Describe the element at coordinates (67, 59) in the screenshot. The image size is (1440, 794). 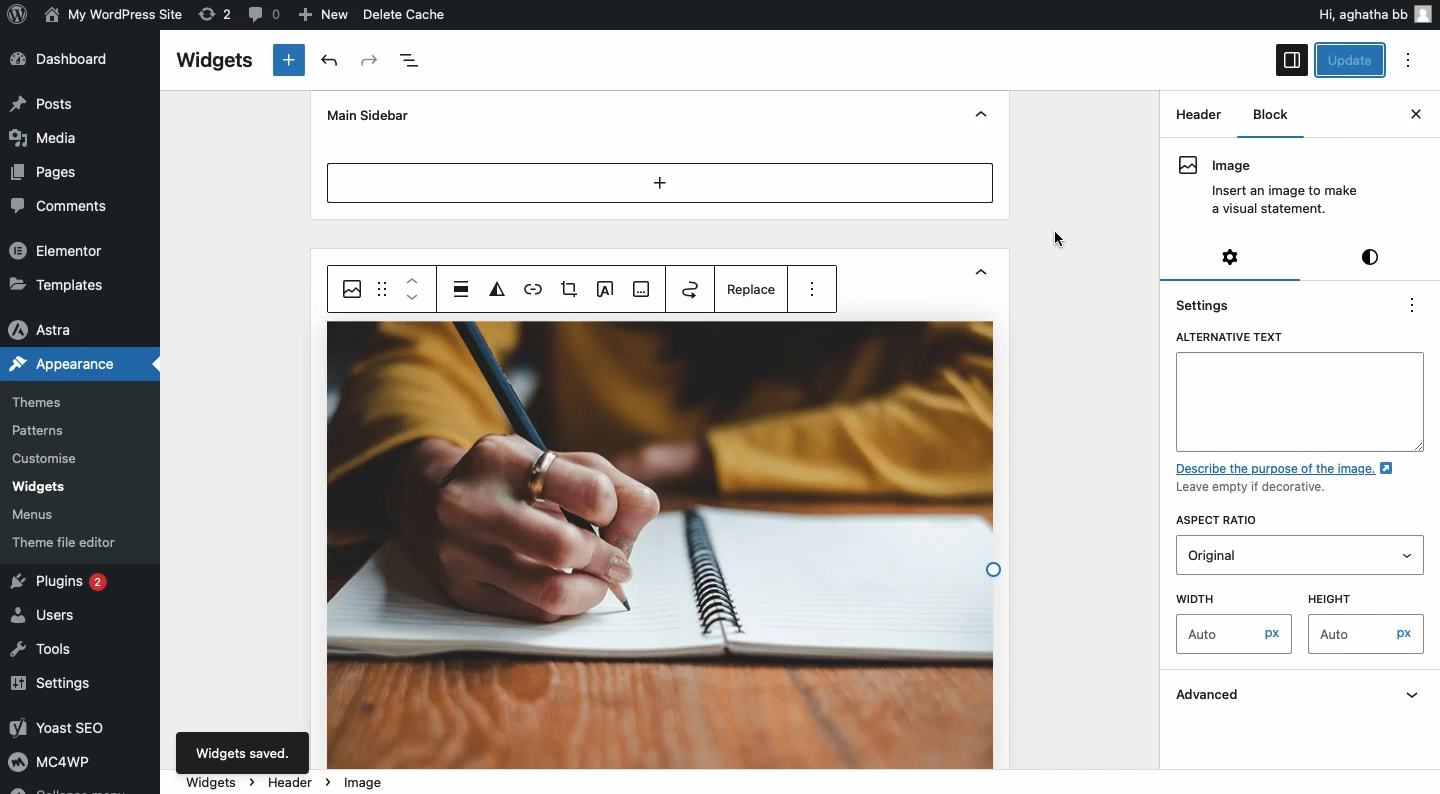
I see `Dashboard` at that location.